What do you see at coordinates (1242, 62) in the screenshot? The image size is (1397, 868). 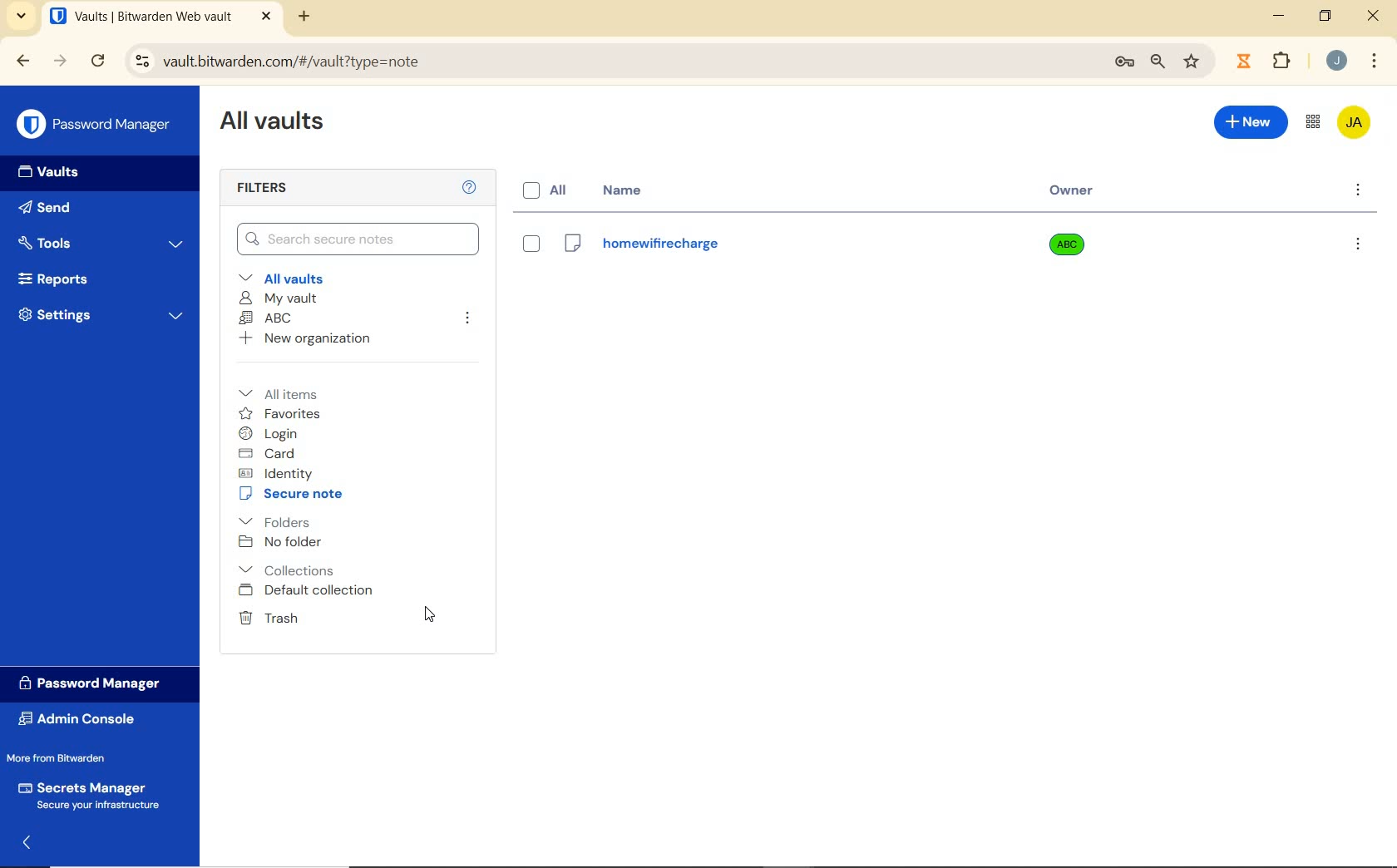 I see `extensions` at bounding box center [1242, 62].